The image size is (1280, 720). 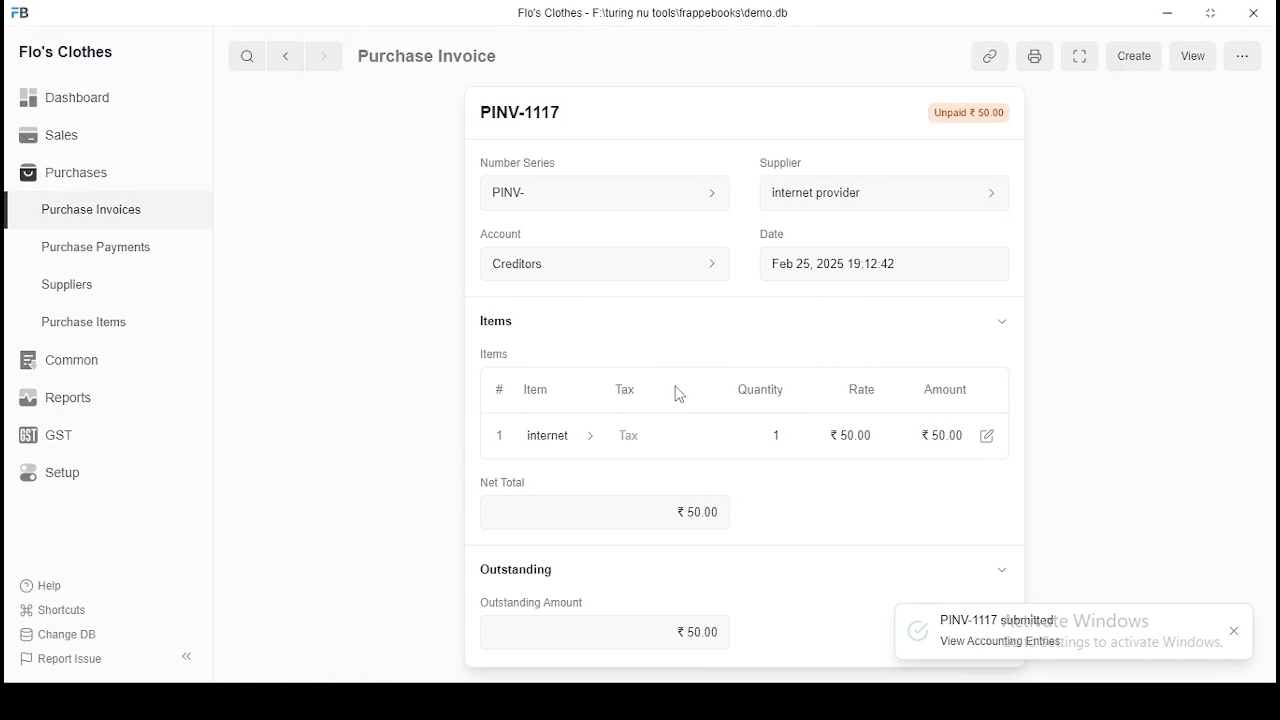 What do you see at coordinates (1080, 58) in the screenshot?
I see `toggle between form and fullscreen` at bounding box center [1080, 58].